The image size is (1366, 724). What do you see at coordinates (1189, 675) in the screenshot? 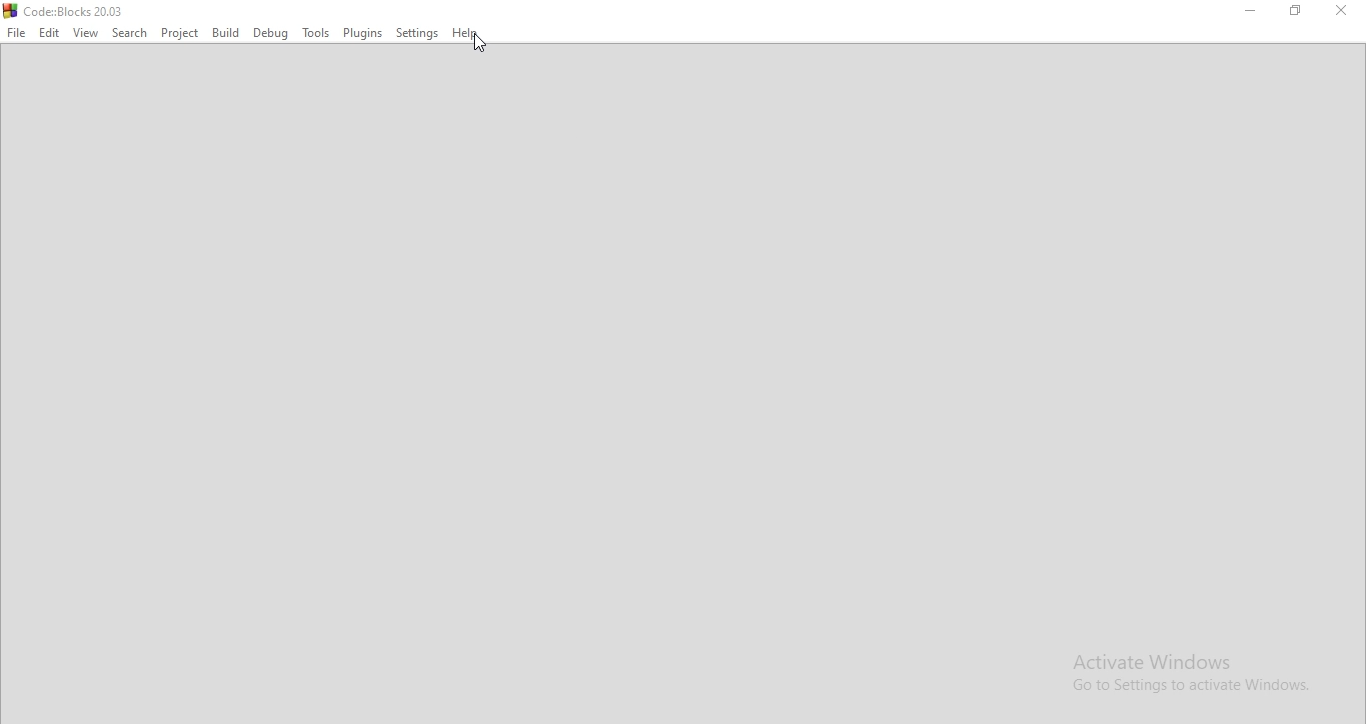
I see `Activate Windows` at bounding box center [1189, 675].